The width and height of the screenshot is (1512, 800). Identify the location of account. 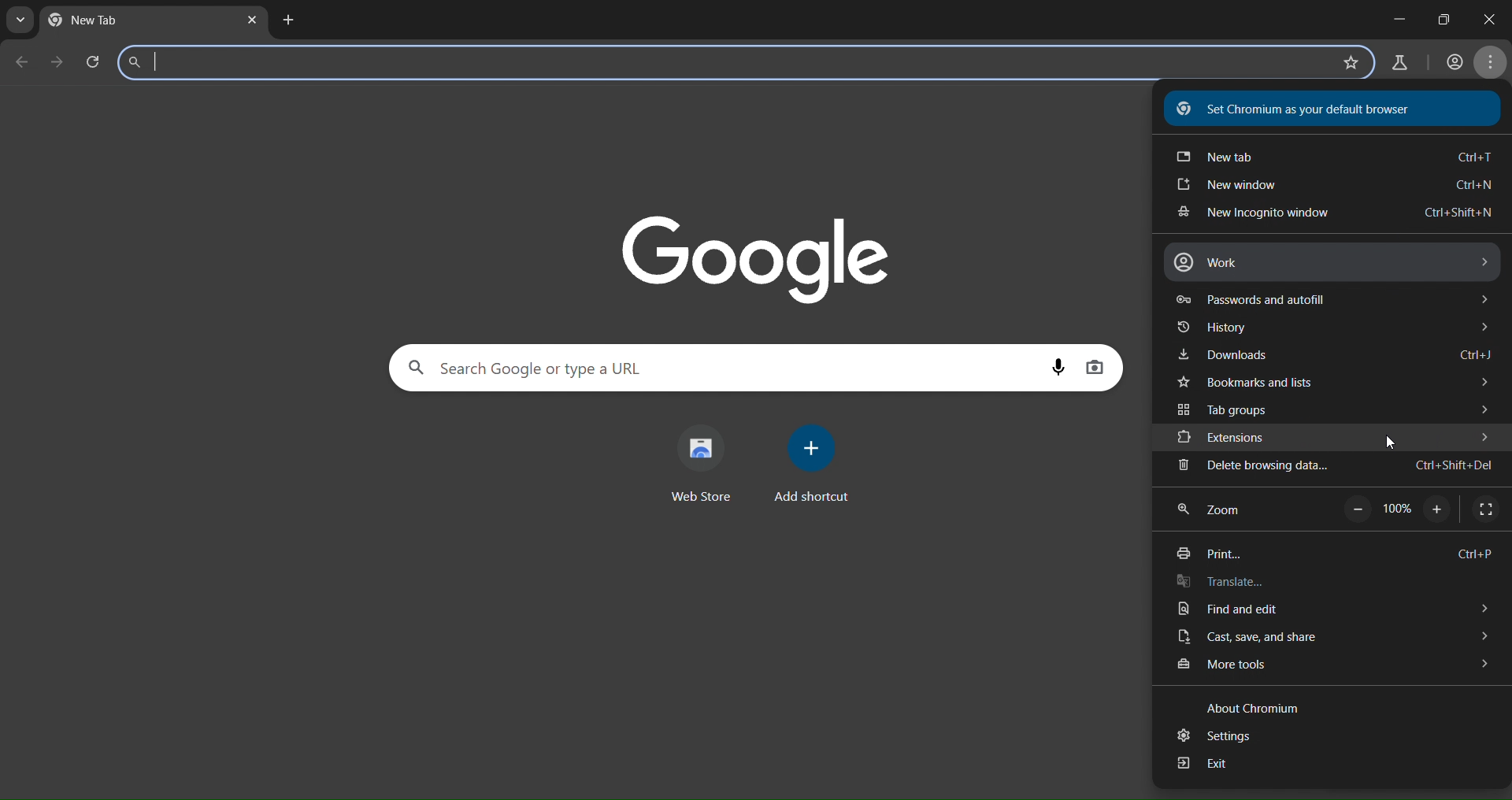
(1455, 60).